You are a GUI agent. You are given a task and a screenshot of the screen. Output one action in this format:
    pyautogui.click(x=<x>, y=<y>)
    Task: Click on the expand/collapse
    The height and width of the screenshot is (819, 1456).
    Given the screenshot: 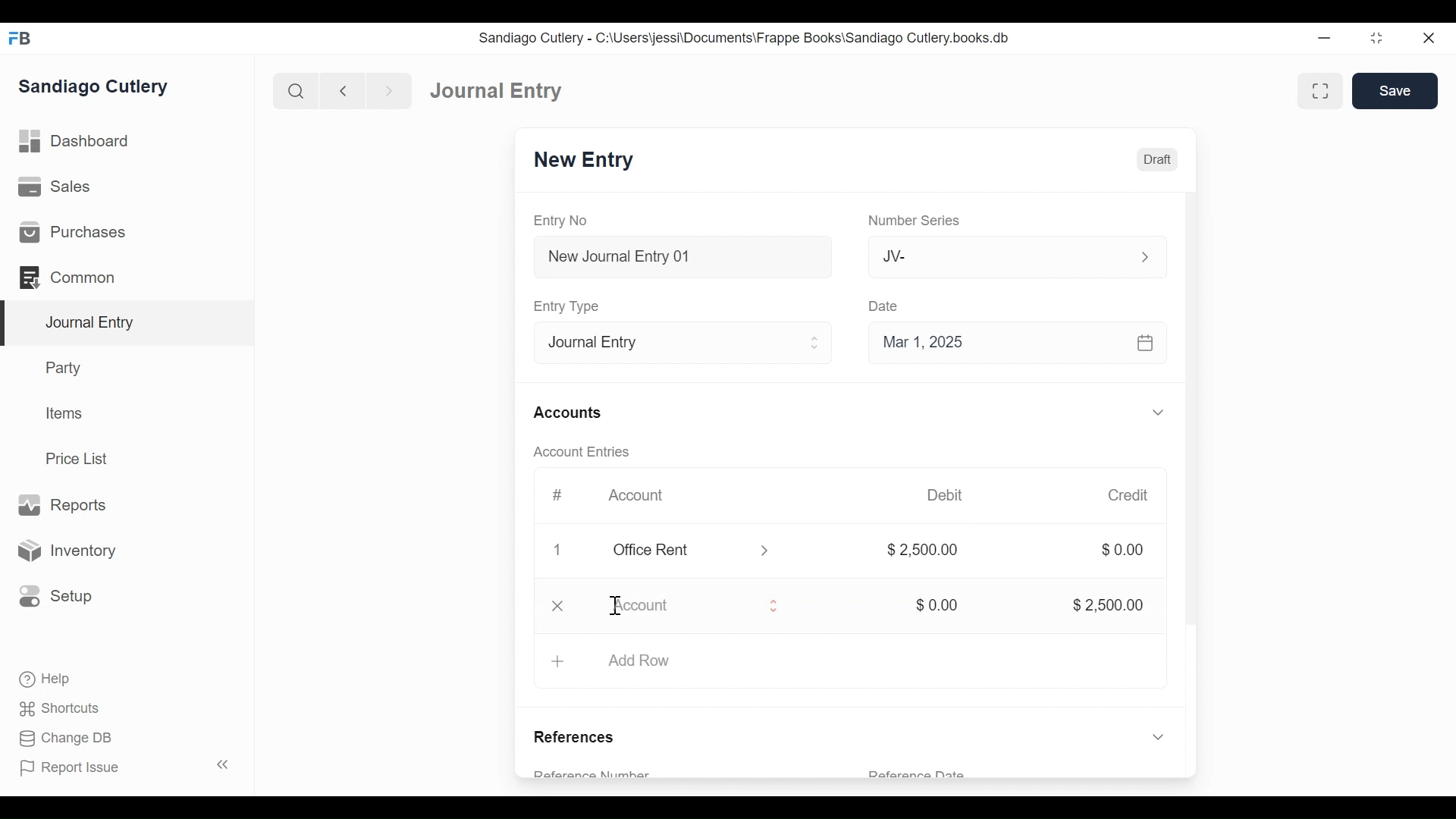 What is the action you would take?
    pyautogui.click(x=1154, y=736)
    